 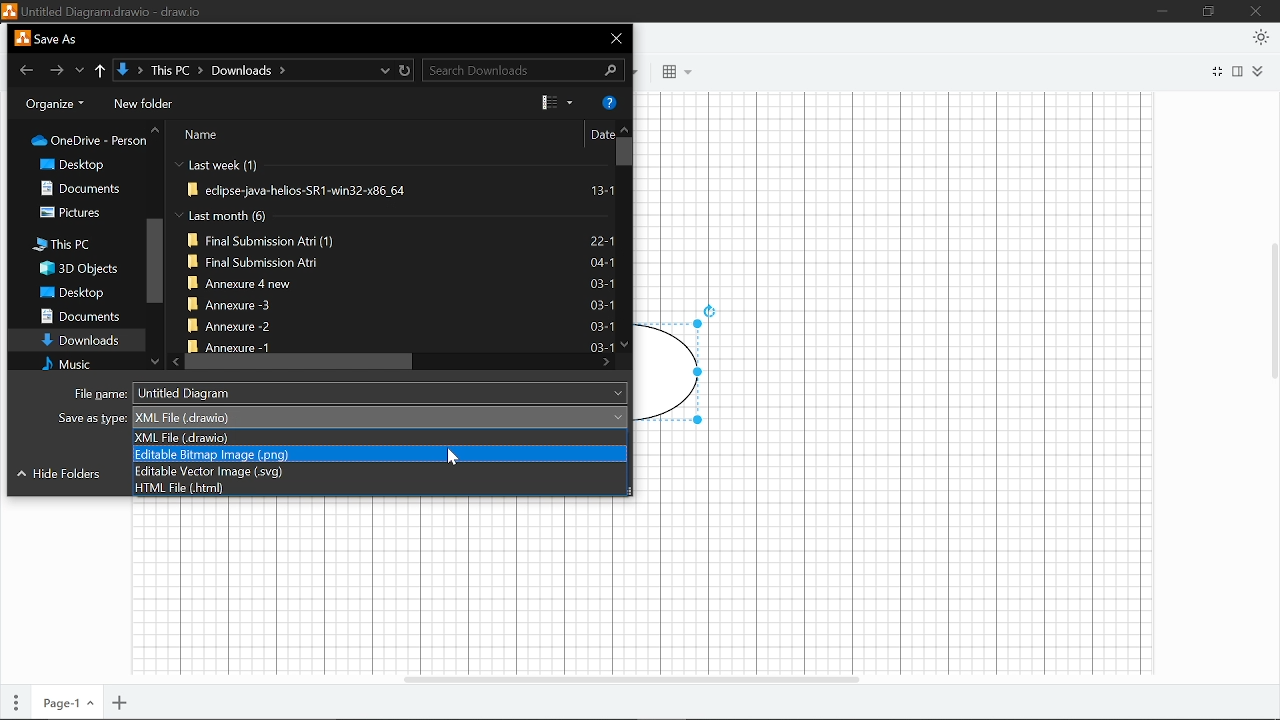 What do you see at coordinates (81, 68) in the screenshot?
I see `Previous locations` at bounding box center [81, 68].